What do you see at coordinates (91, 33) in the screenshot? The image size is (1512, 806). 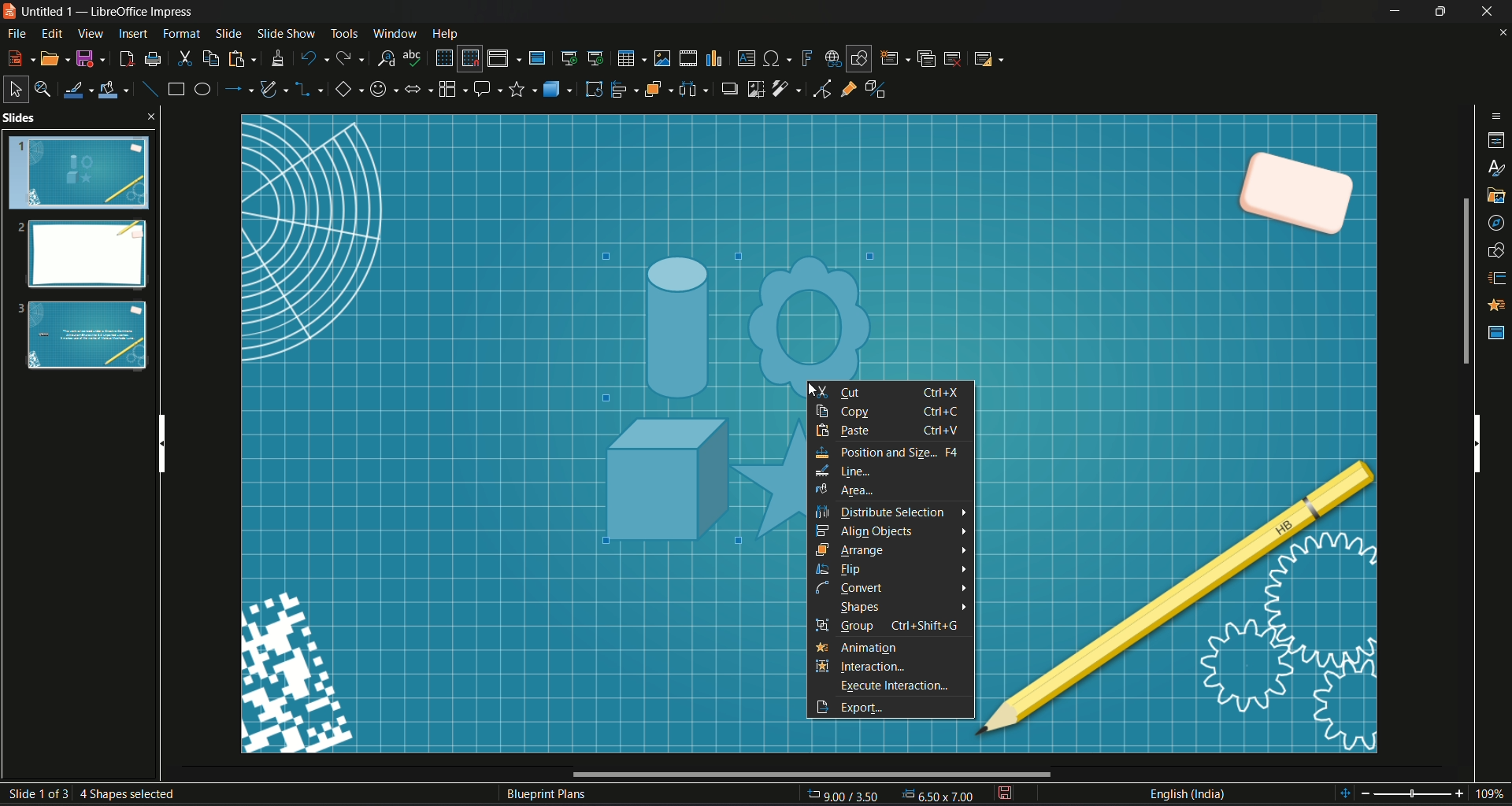 I see `View` at bounding box center [91, 33].